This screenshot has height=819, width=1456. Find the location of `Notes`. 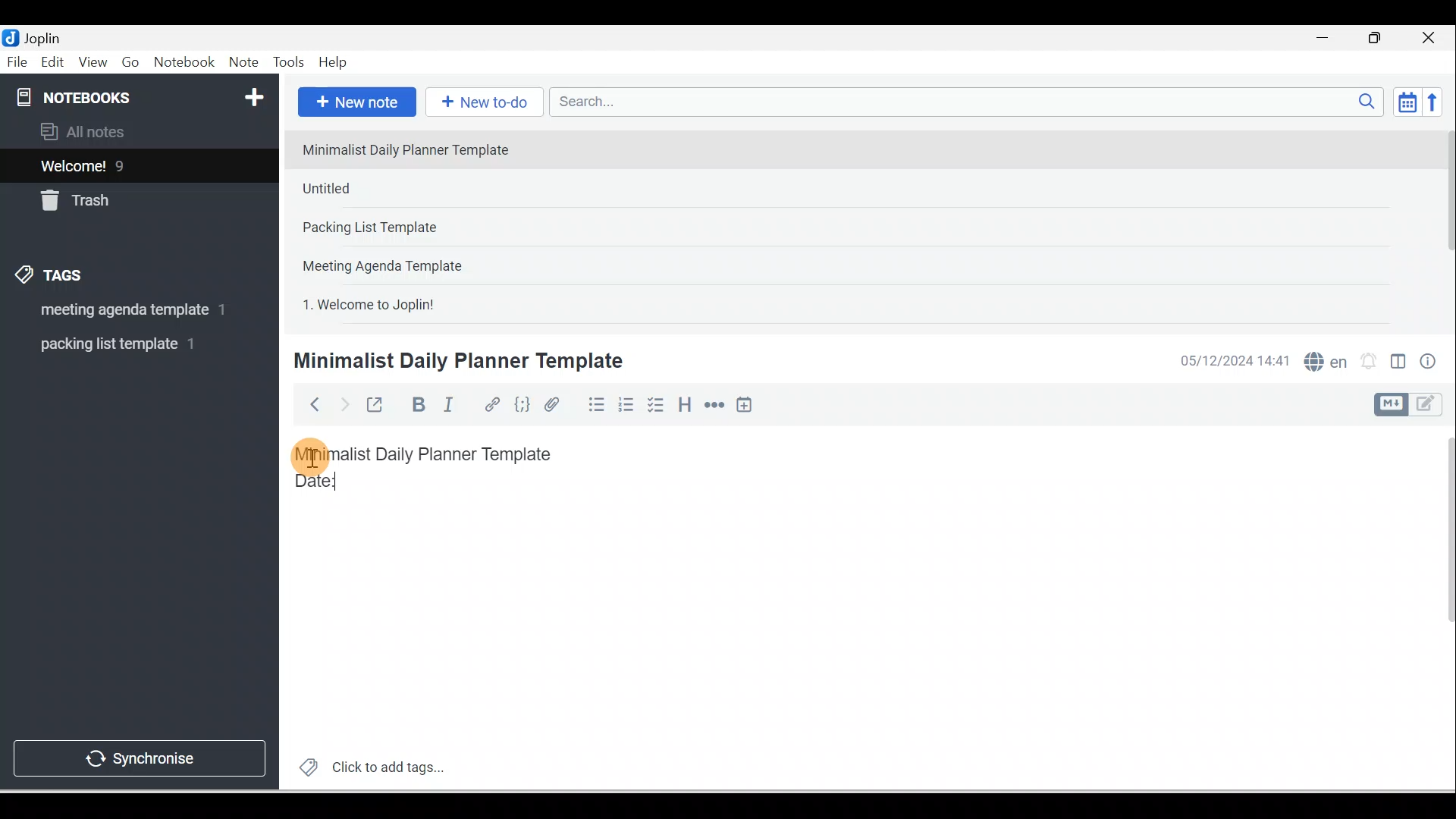

Notes is located at coordinates (128, 162).